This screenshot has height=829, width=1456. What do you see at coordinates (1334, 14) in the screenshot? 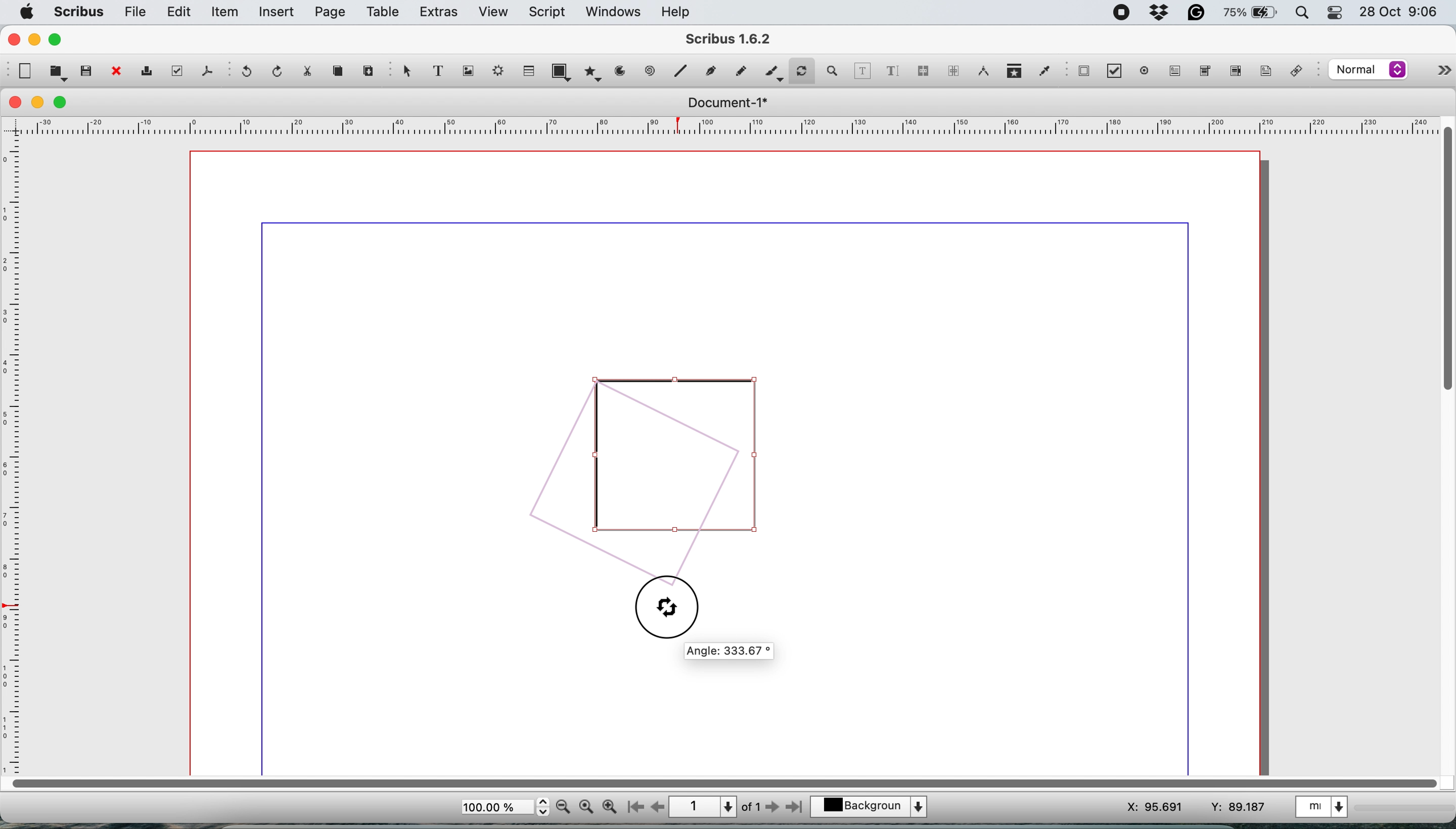
I see `control center` at bounding box center [1334, 14].